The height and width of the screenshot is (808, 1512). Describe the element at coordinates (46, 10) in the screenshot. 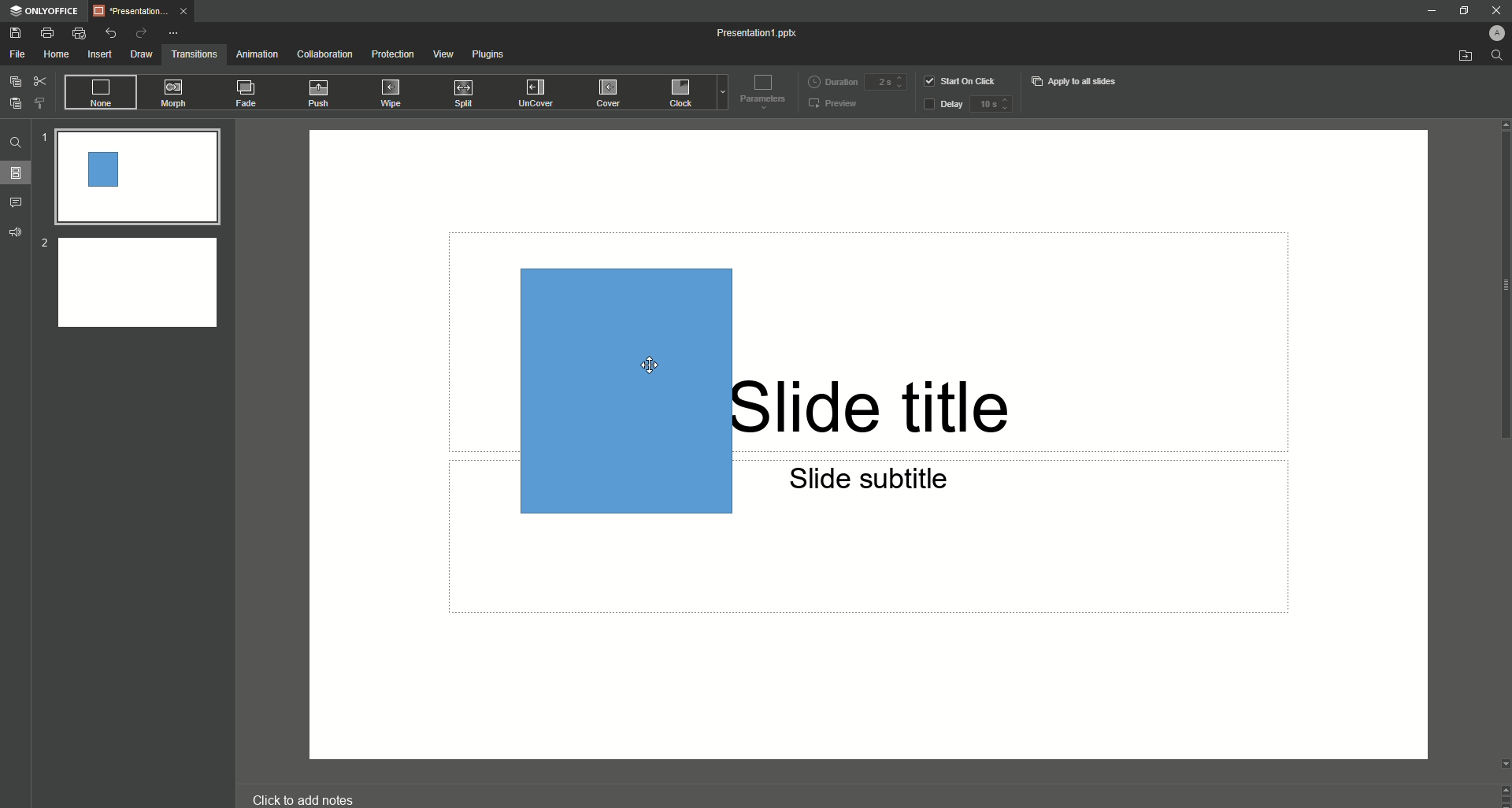

I see `ONLYOFFICE` at that location.